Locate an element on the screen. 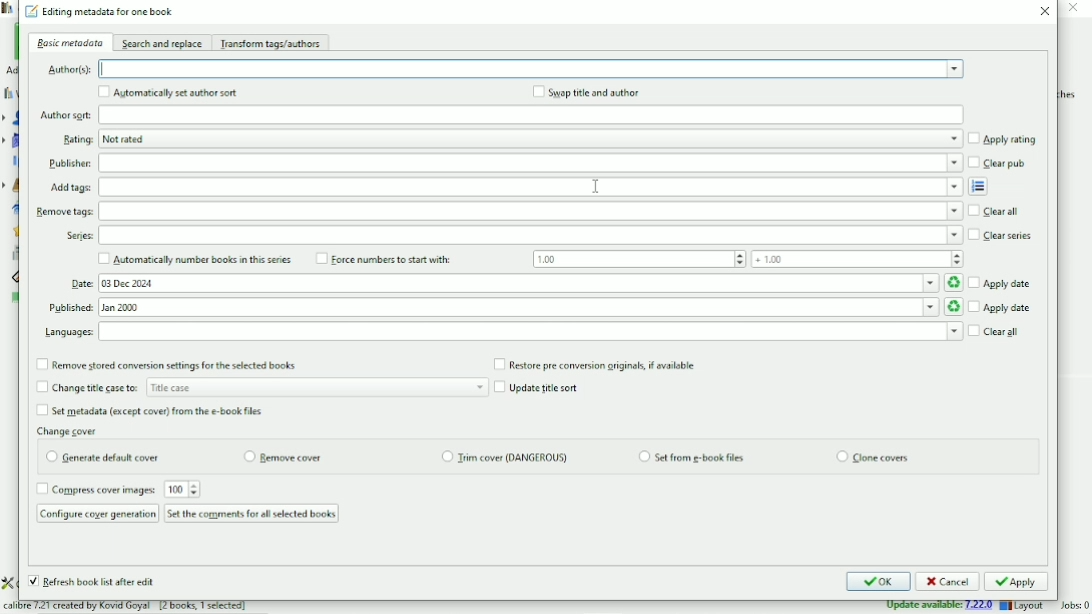 This screenshot has width=1092, height=614. Rating is located at coordinates (73, 140).